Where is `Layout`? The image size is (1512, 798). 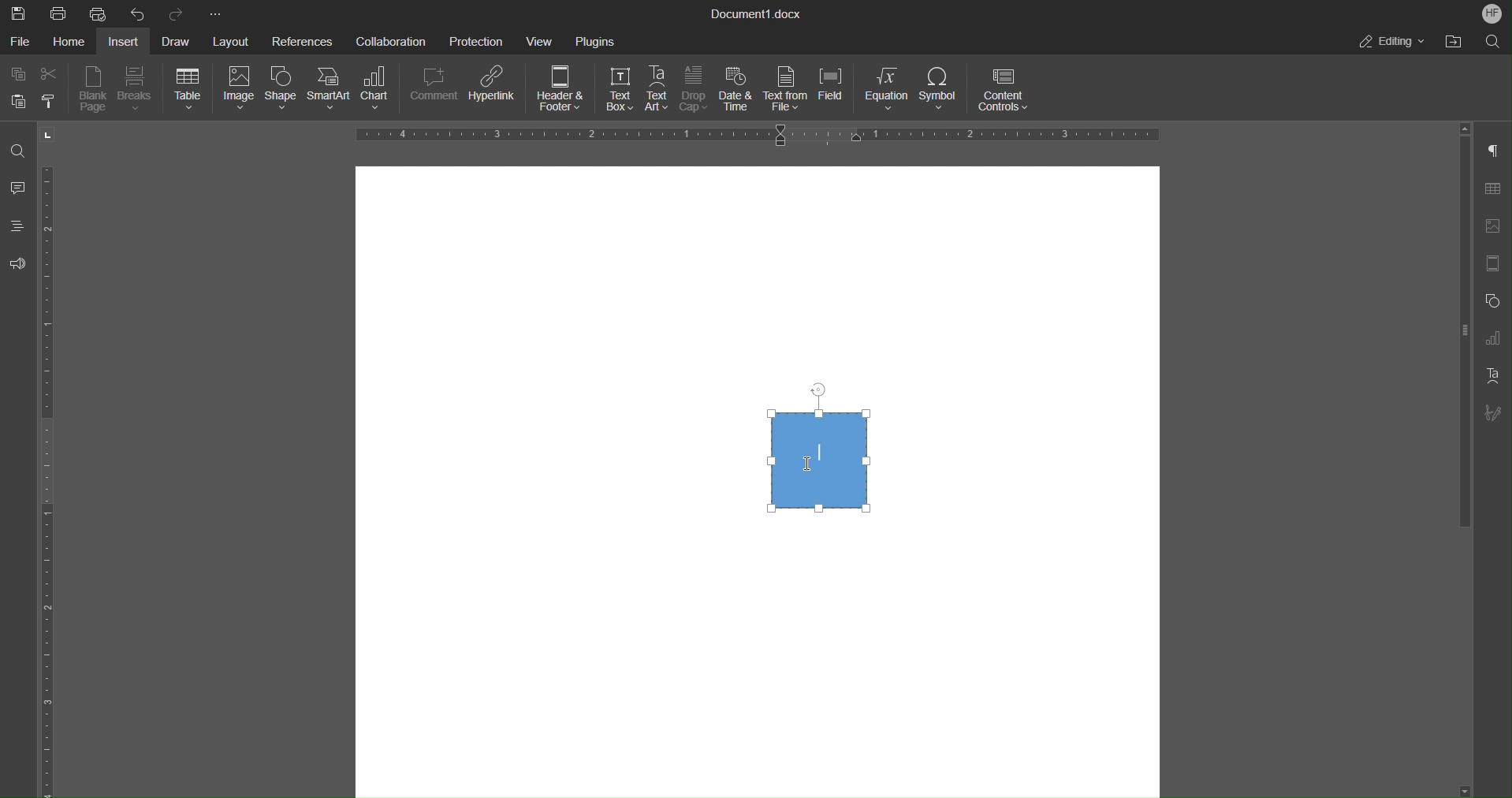
Layout is located at coordinates (233, 39).